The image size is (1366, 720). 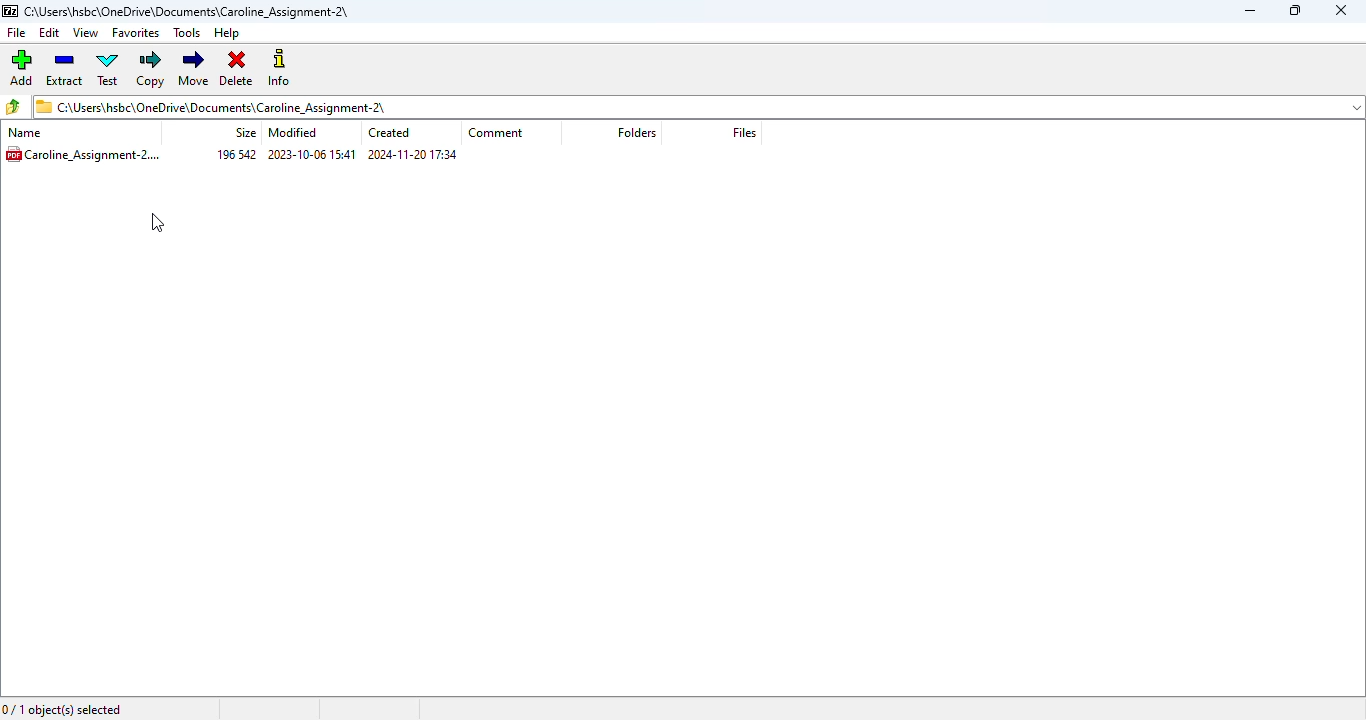 I want to click on C\Users\hsbc\OneDrive\Documents\Caroline_Assignment-2\, so click(x=191, y=10).